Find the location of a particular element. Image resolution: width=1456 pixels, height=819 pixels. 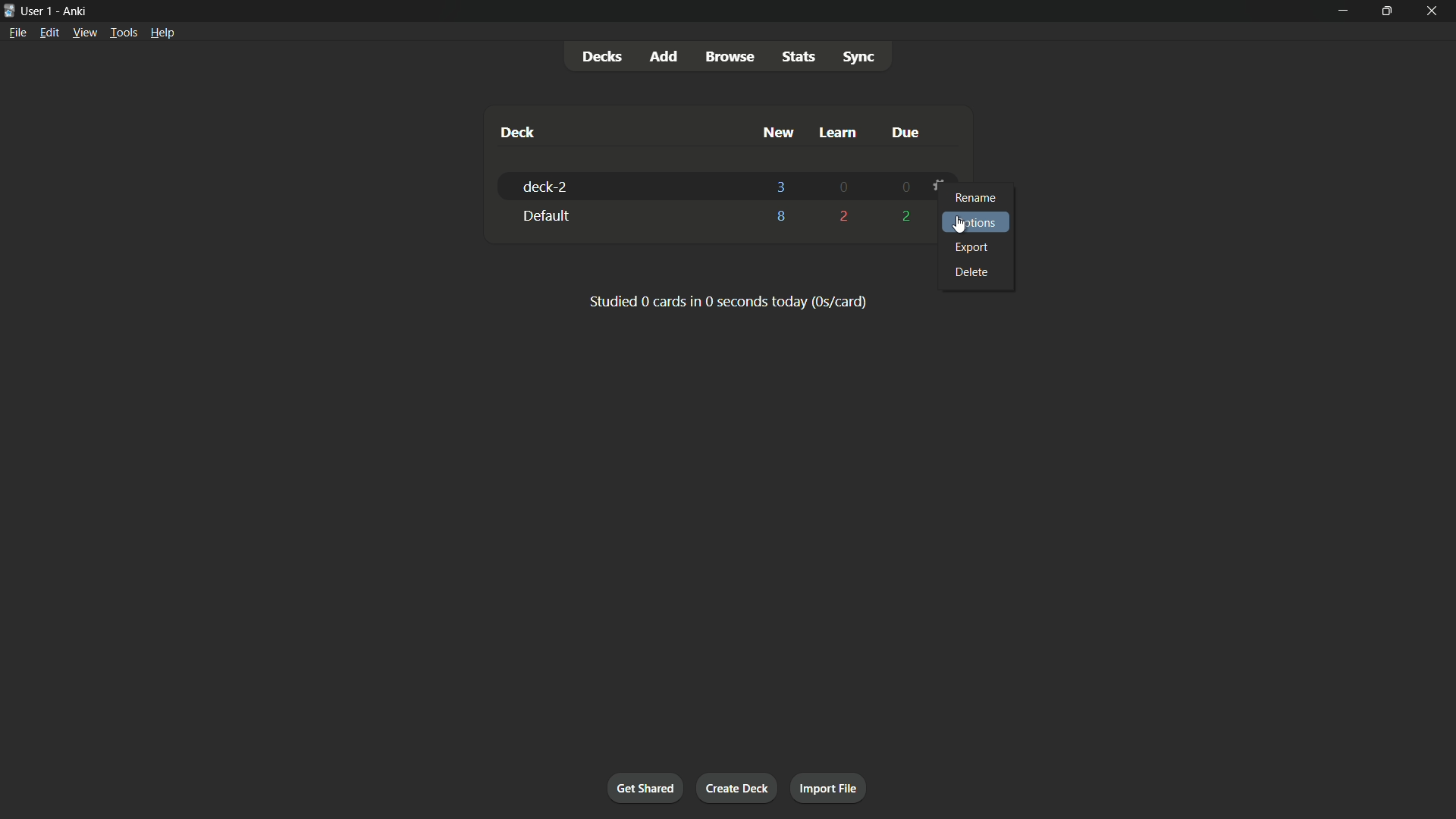

default is located at coordinates (544, 216).